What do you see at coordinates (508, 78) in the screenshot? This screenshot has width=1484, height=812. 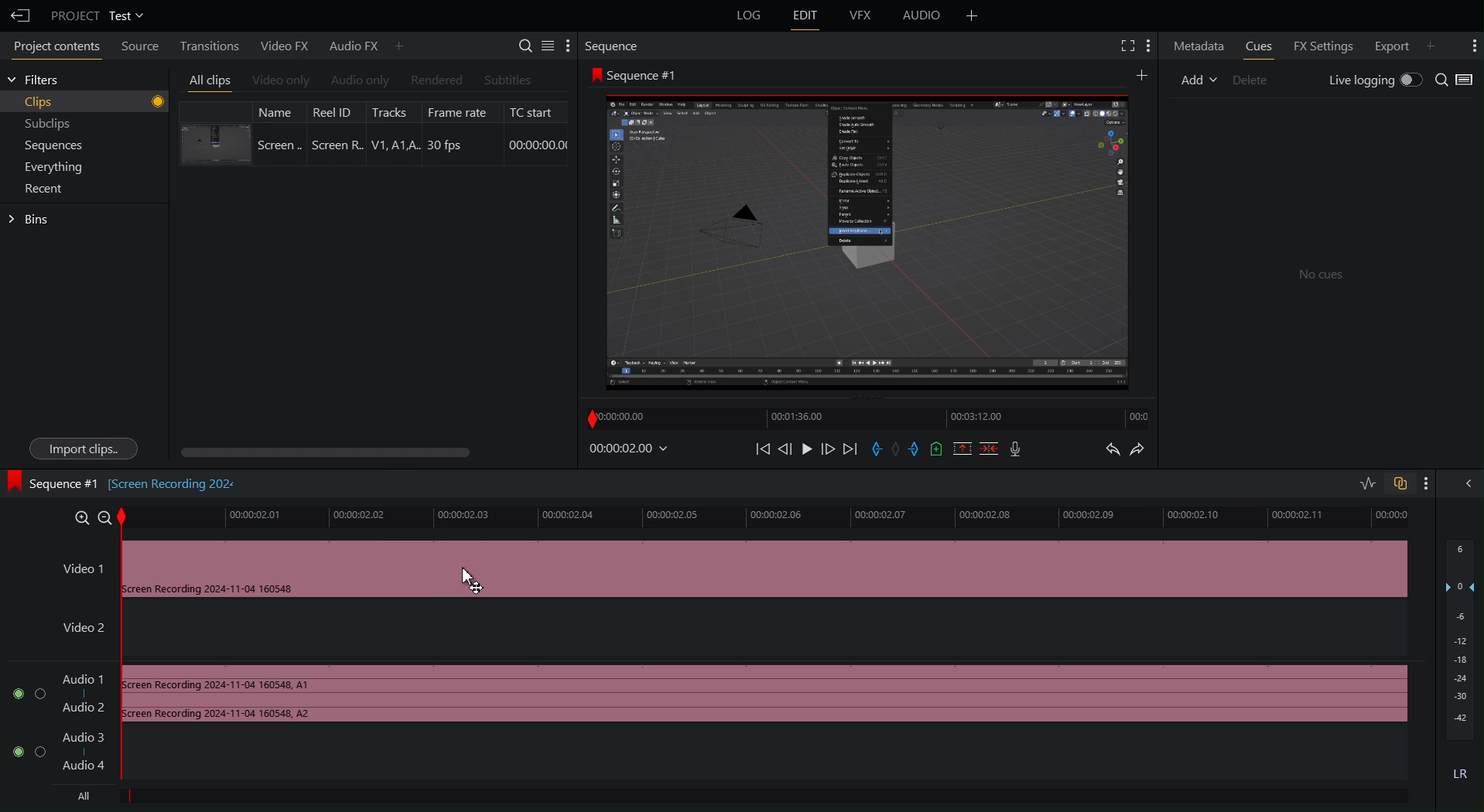 I see `Subtitle` at bounding box center [508, 78].